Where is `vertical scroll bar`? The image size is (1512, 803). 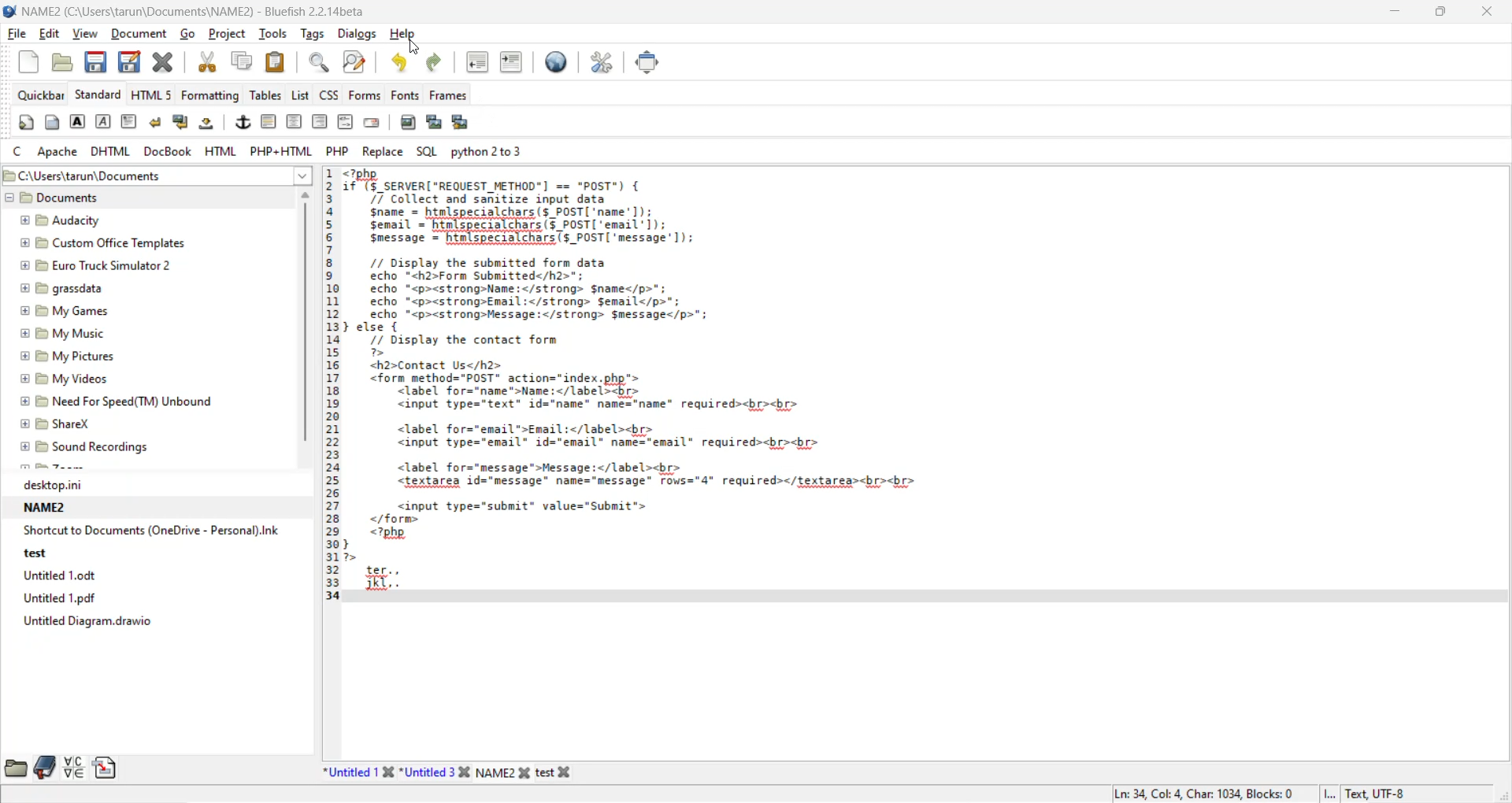
vertical scroll bar is located at coordinates (305, 323).